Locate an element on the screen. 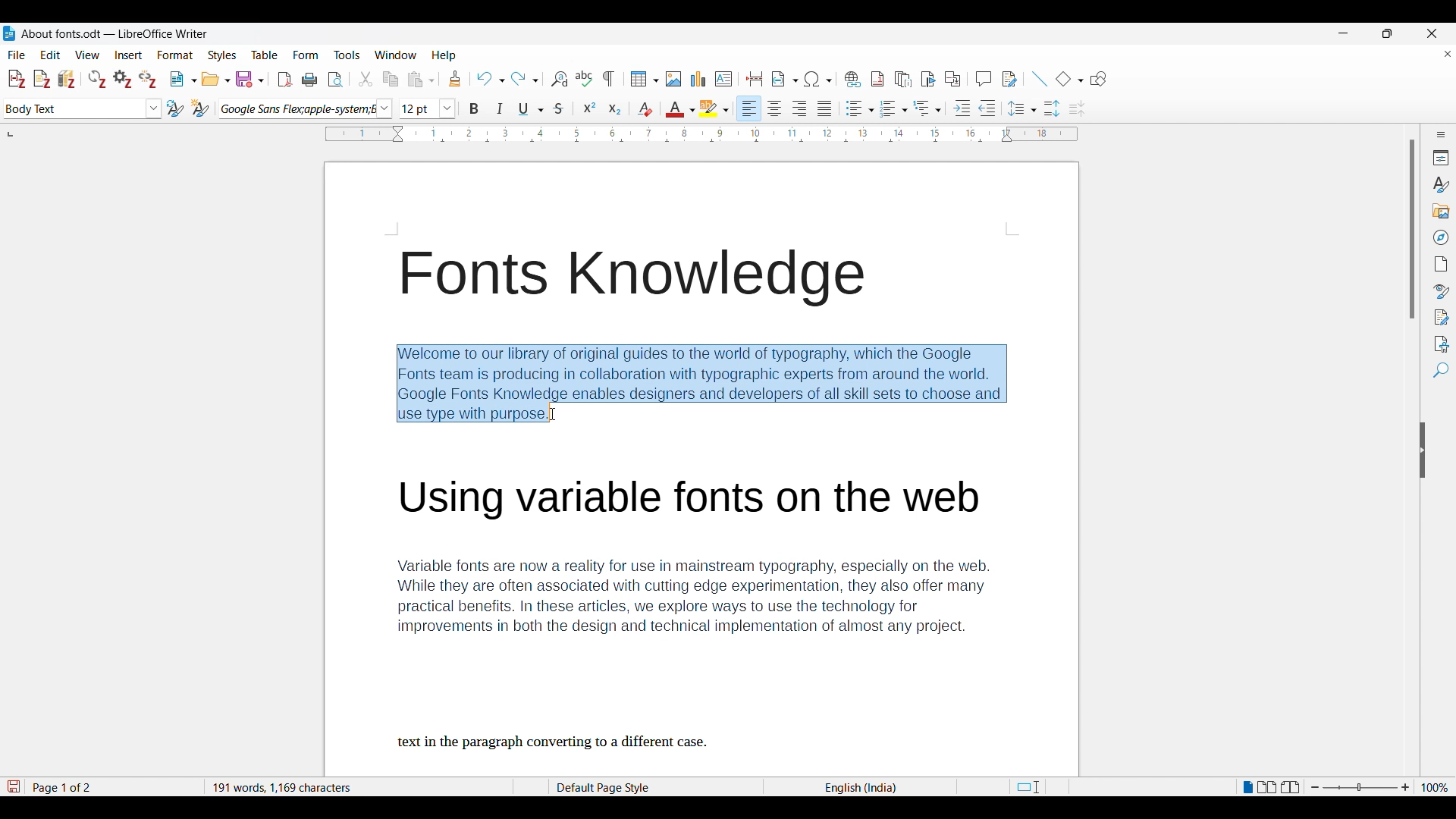  Font size is located at coordinates (428, 108).